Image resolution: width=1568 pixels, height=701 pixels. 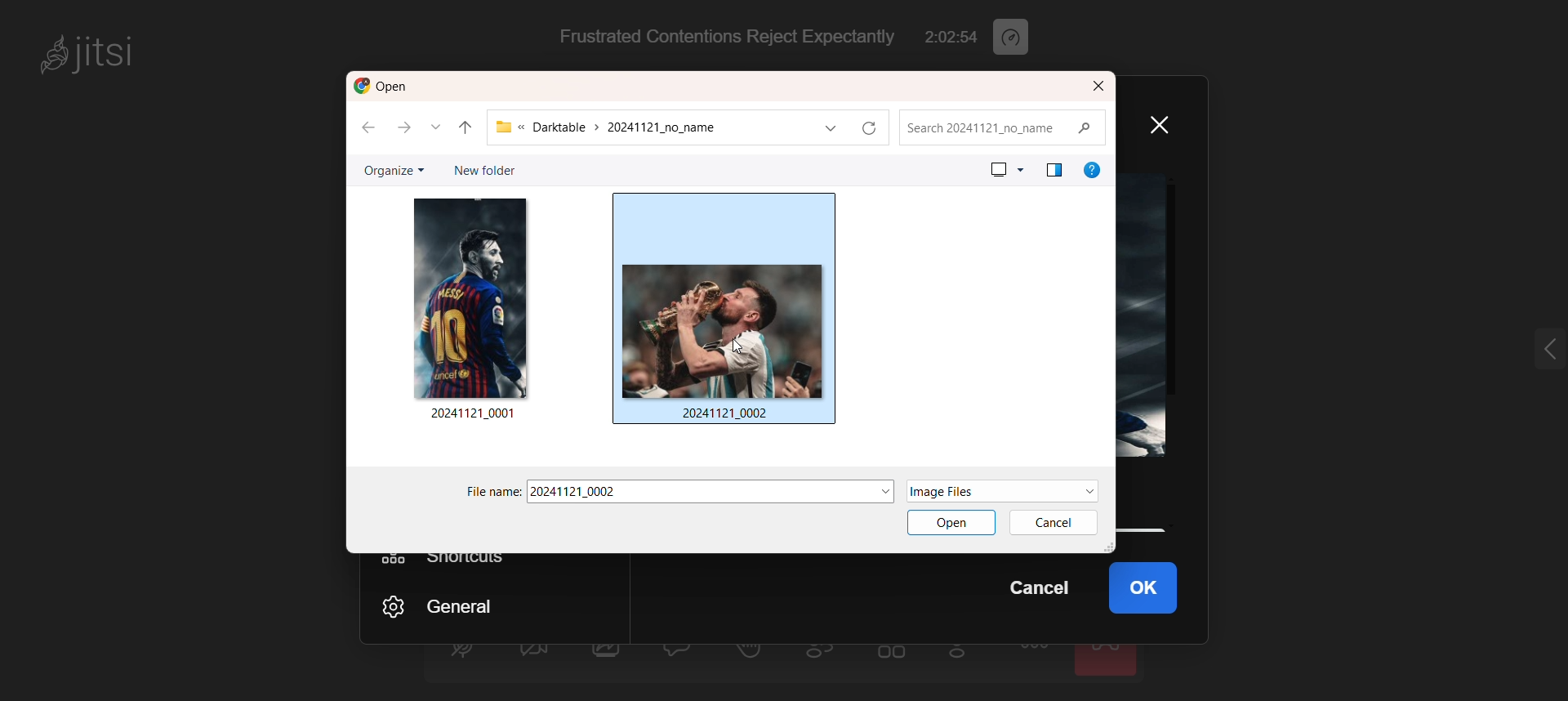 What do you see at coordinates (691, 492) in the screenshot?
I see `file name` at bounding box center [691, 492].